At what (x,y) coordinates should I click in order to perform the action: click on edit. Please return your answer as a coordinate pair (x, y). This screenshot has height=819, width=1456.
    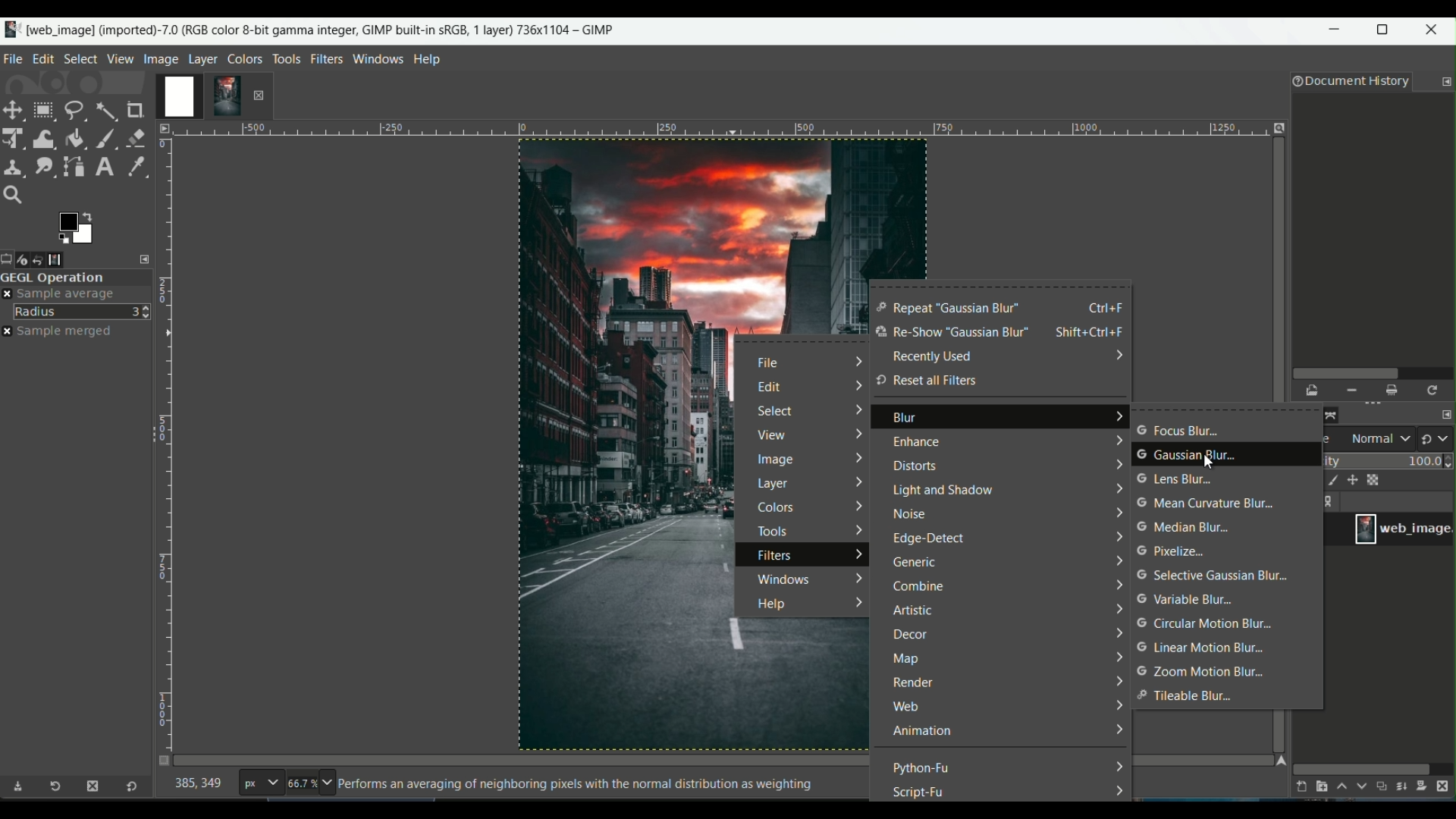
    Looking at the image, I should click on (770, 388).